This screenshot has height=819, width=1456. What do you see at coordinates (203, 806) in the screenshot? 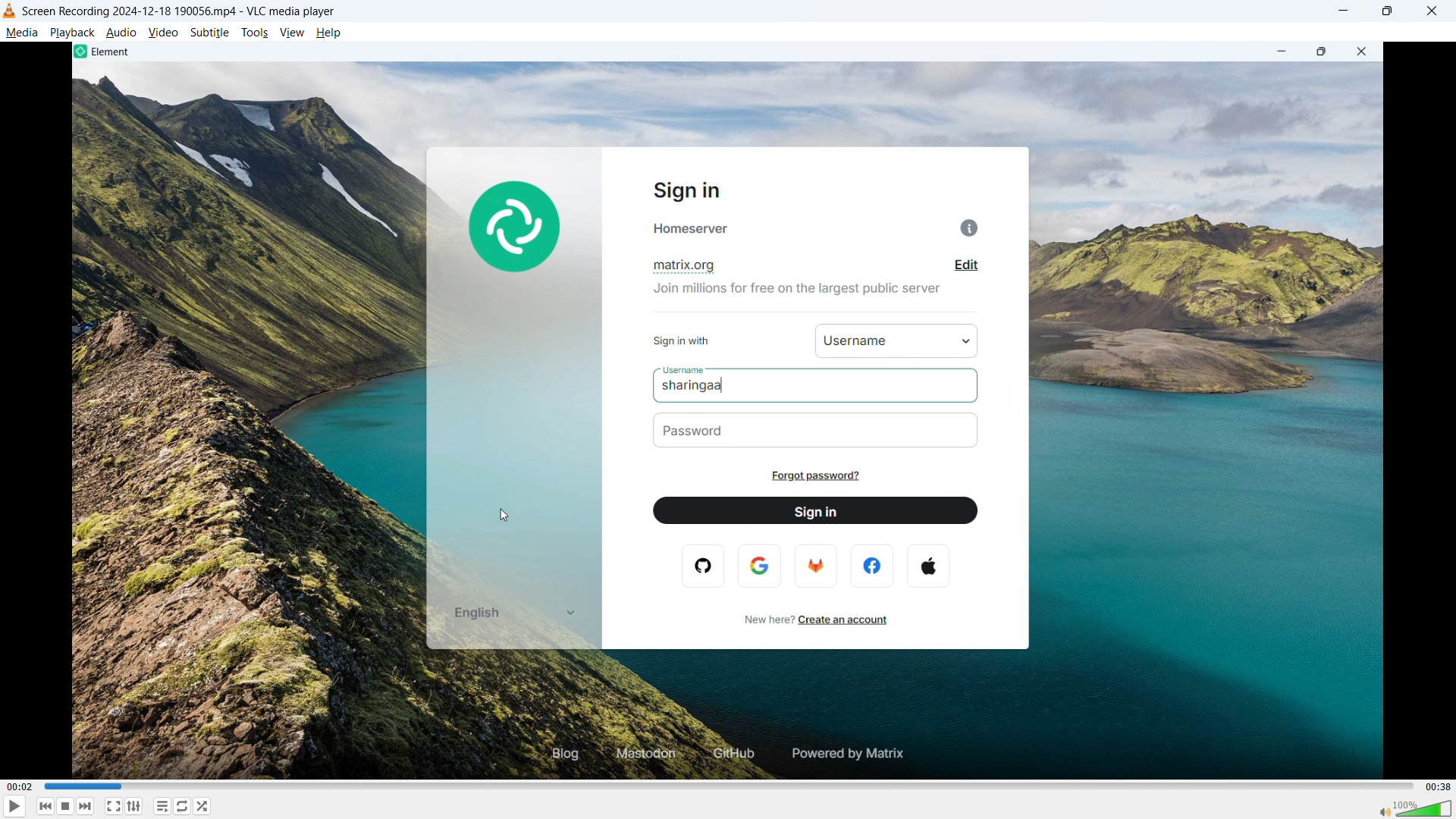
I see `random ` at bounding box center [203, 806].